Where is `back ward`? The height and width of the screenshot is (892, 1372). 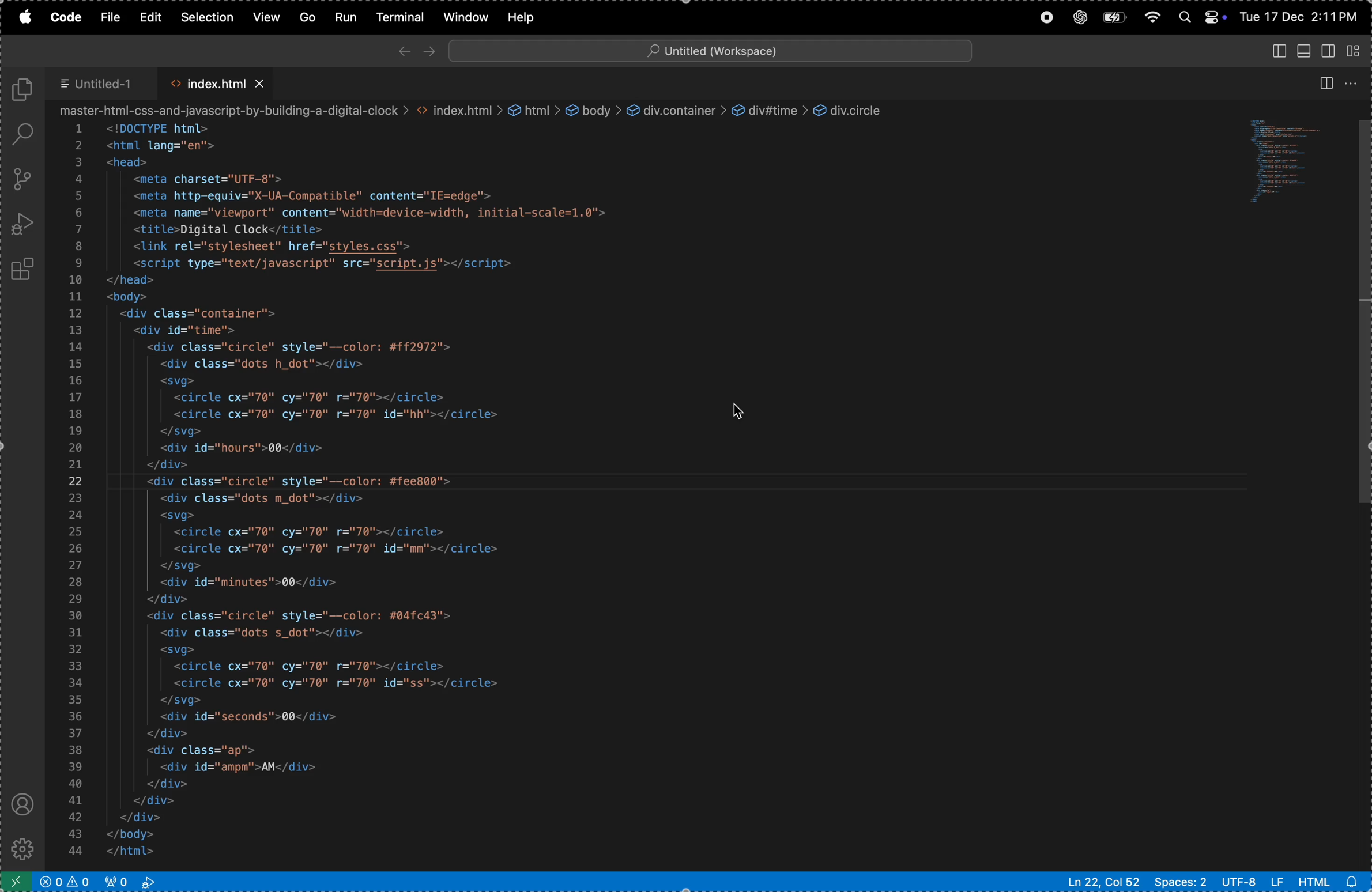 back ward is located at coordinates (402, 53).